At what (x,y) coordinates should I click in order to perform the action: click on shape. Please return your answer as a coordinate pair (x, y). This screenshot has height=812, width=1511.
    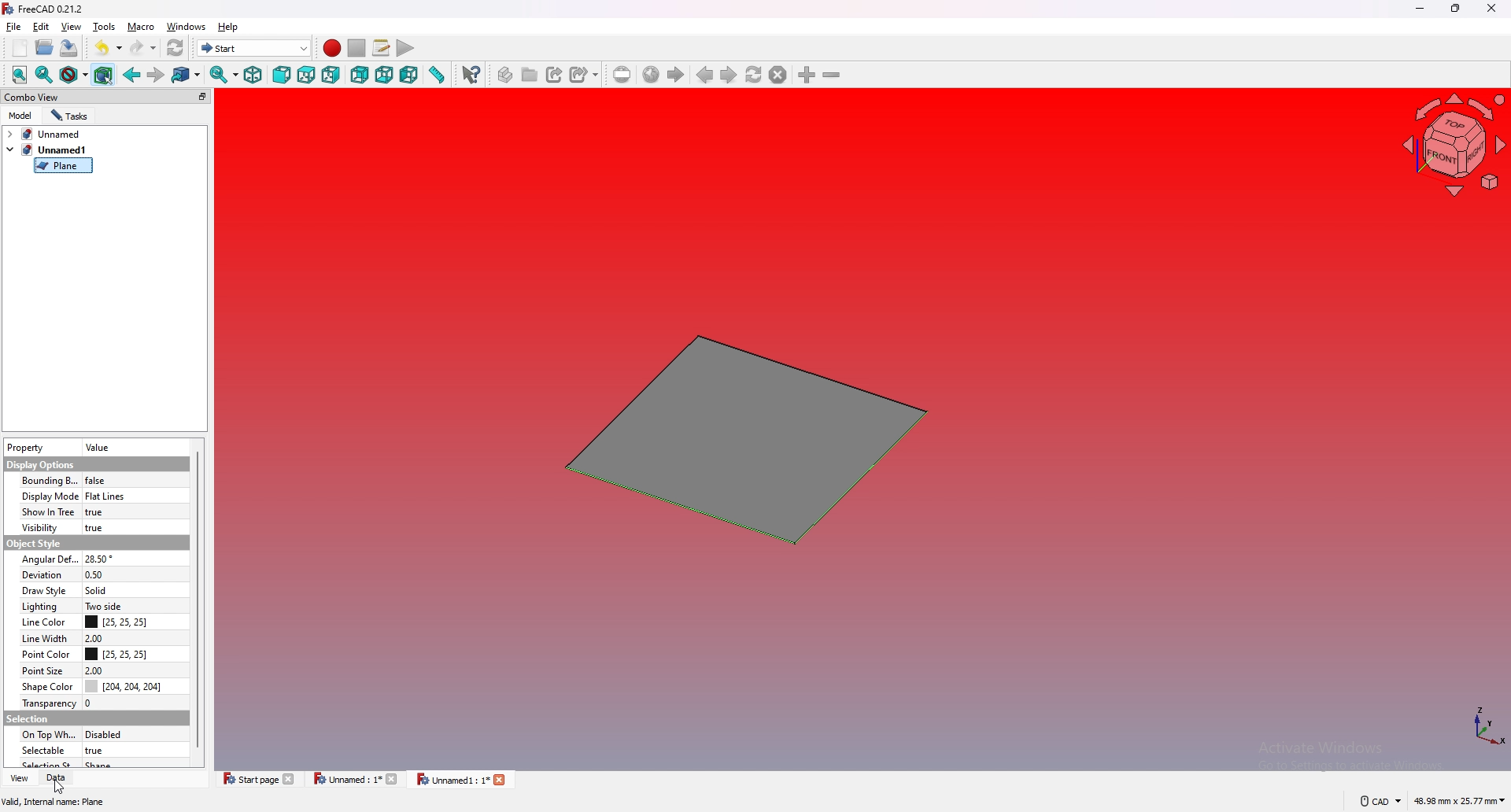
    Looking at the image, I should click on (111, 766).